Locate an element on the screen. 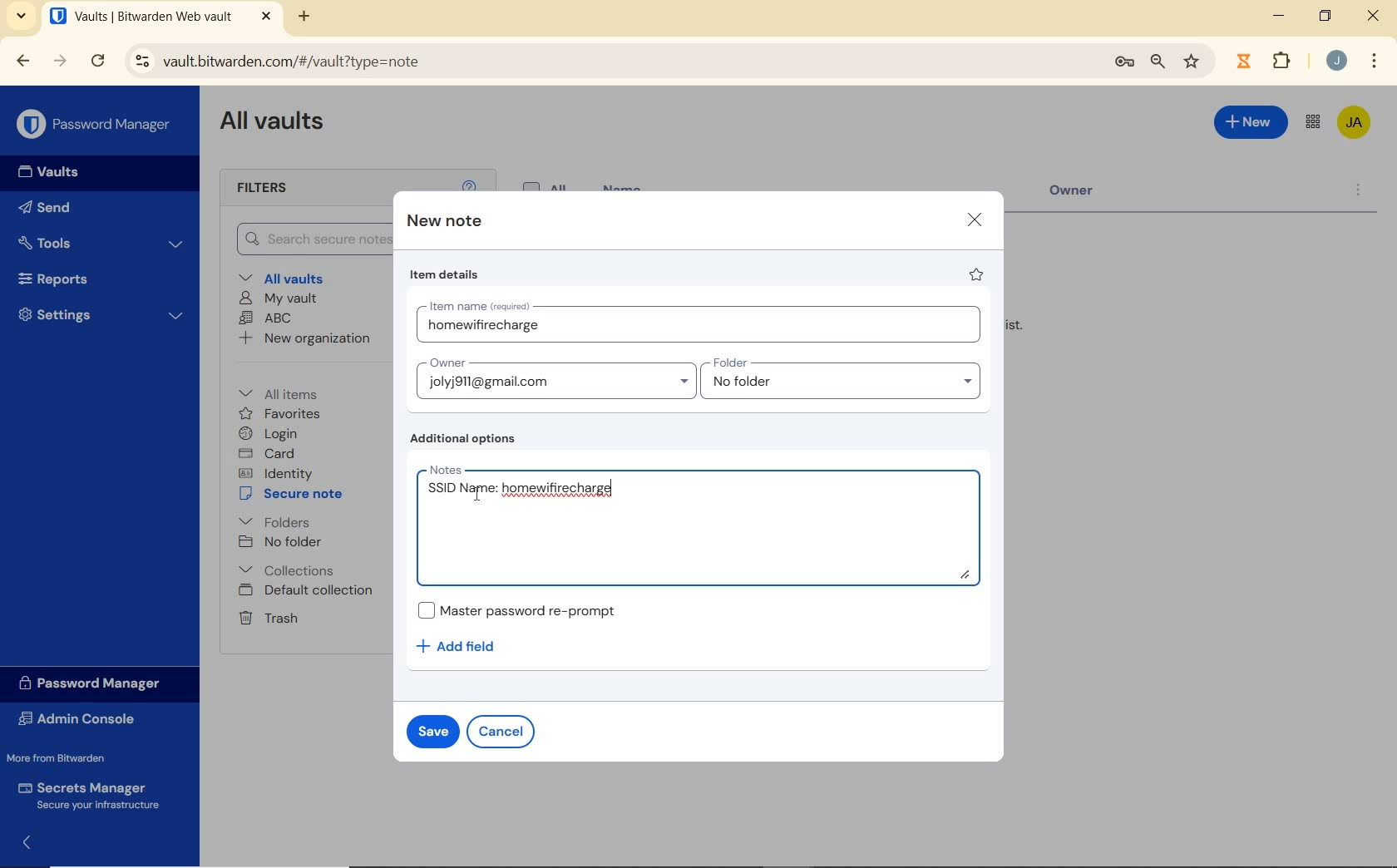 The image size is (1397, 868). reload is located at coordinates (97, 62).